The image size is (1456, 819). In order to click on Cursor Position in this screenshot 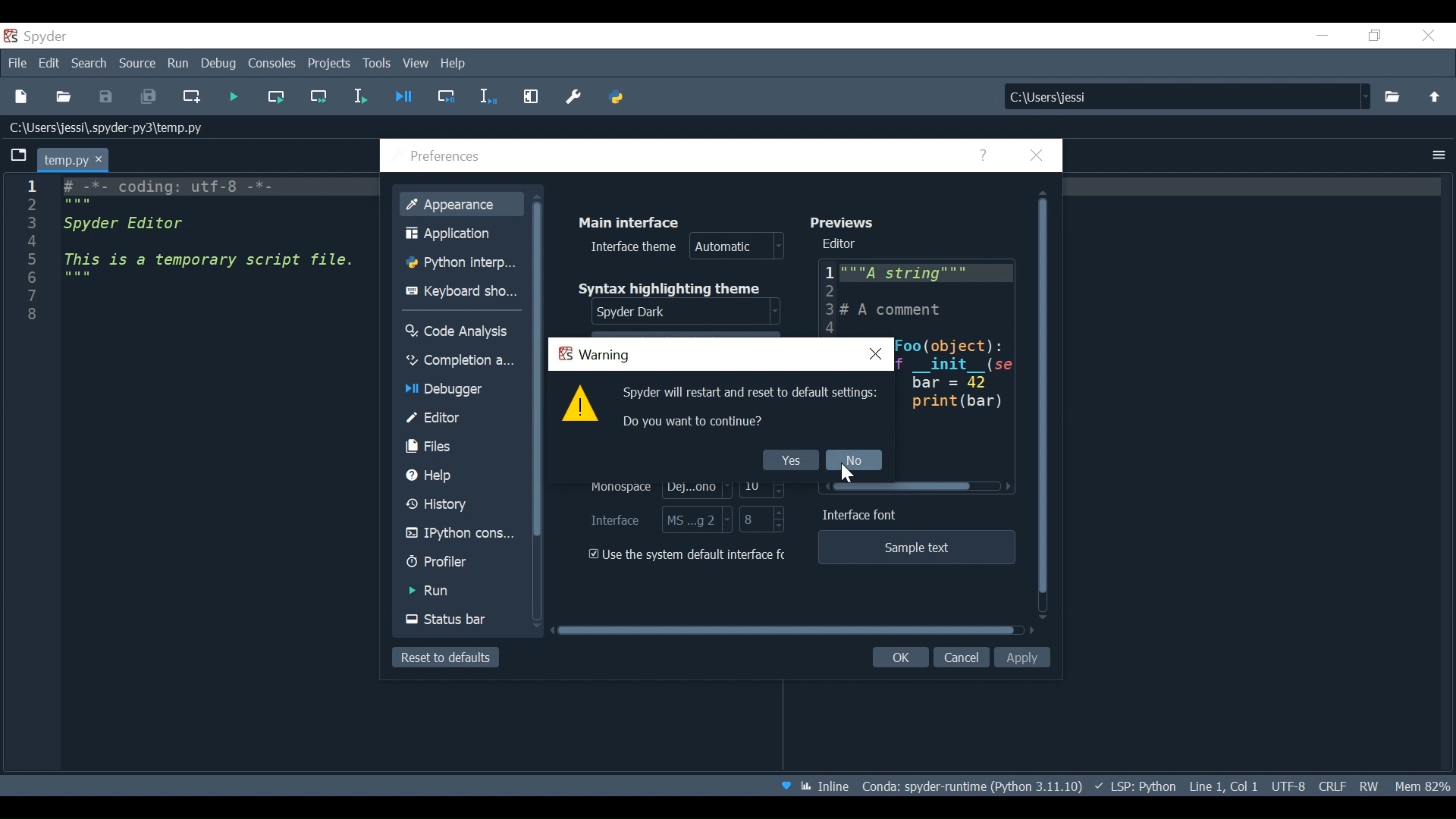, I will do `click(1222, 786)`.